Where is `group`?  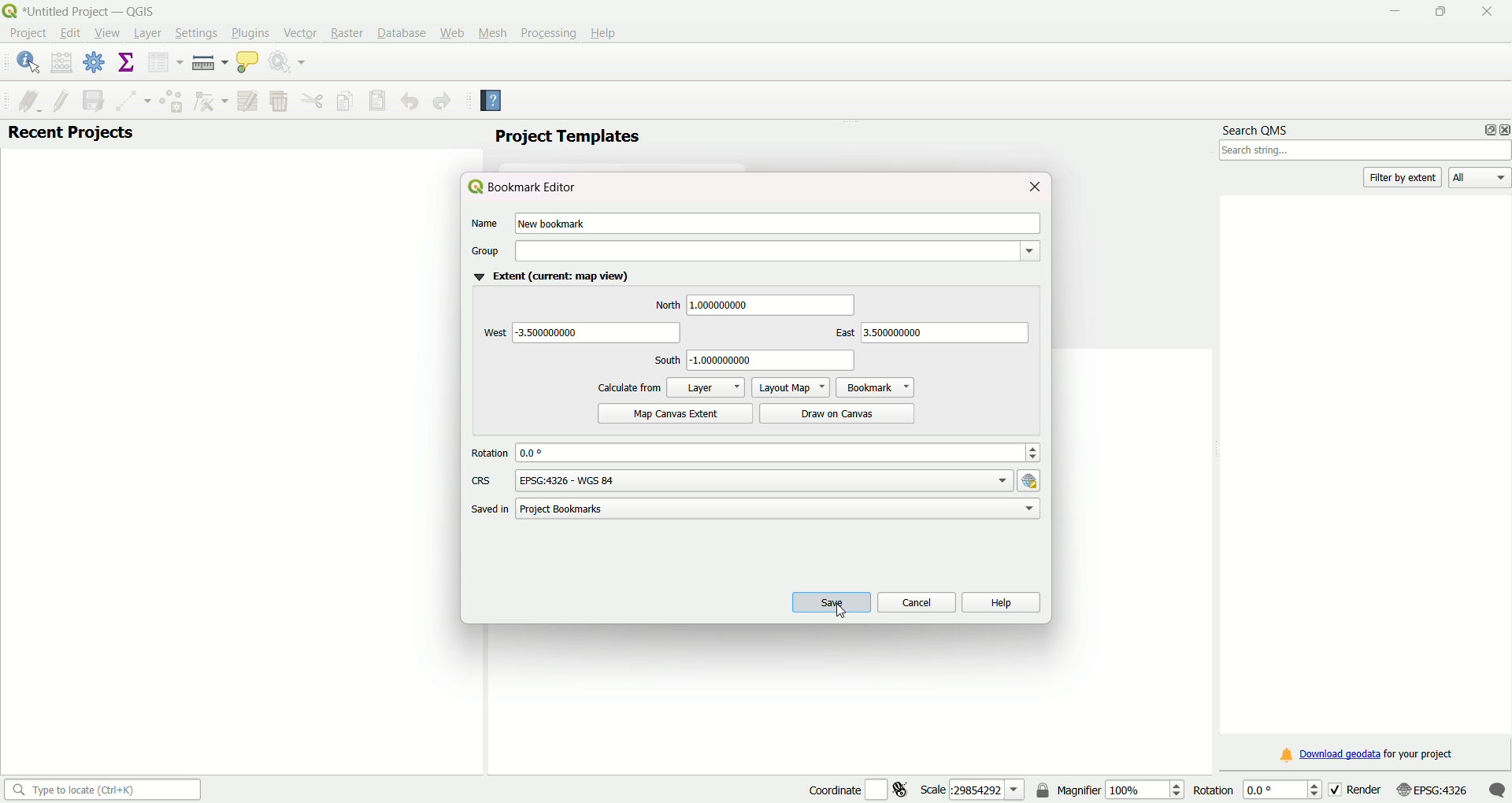 group is located at coordinates (487, 251).